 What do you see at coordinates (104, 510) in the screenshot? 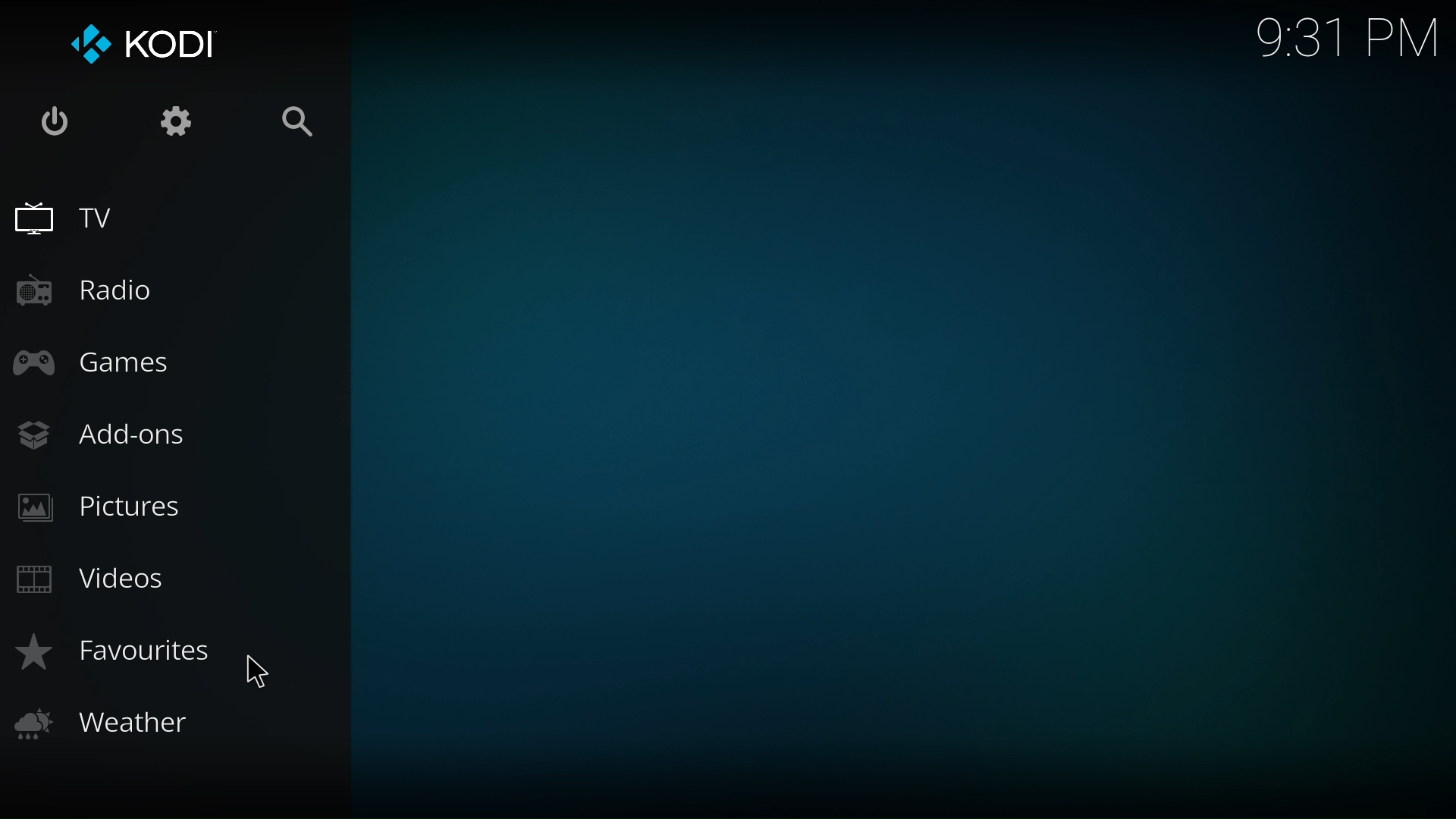
I see `pictures` at bounding box center [104, 510].